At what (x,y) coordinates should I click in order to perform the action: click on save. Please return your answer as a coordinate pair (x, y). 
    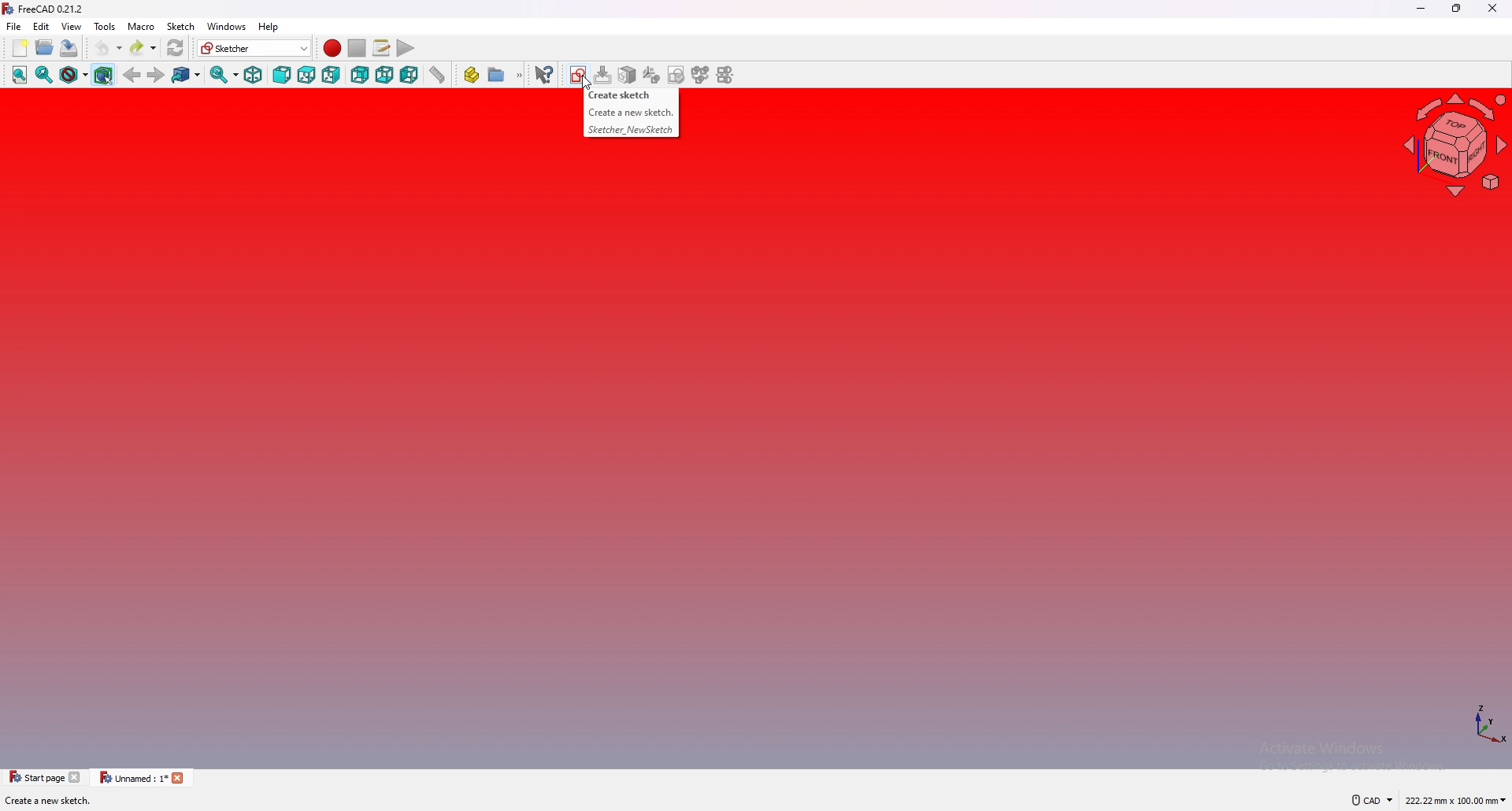
    Looking at the image, I should click on (70, 49).